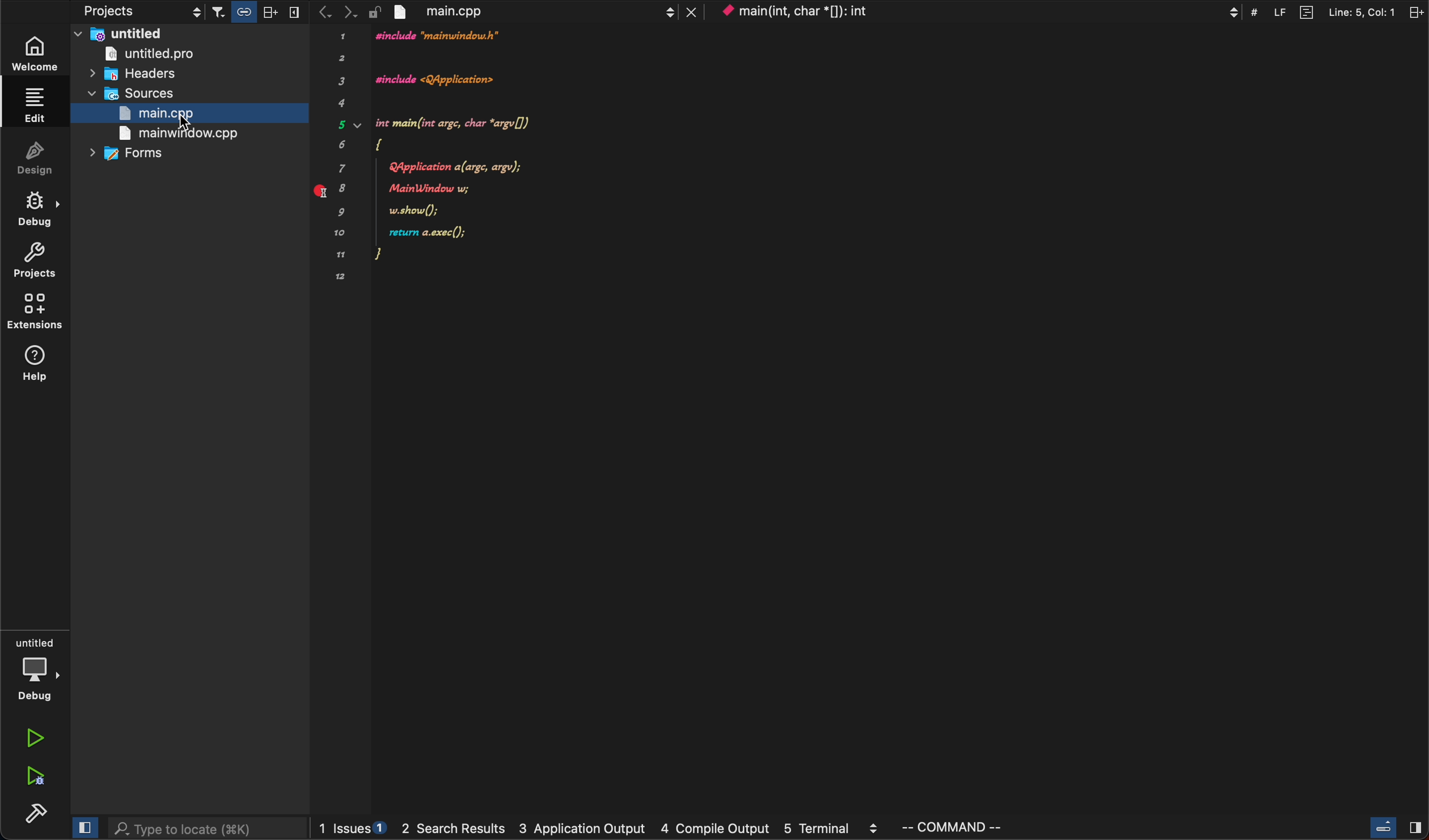 The image size is (1429, 840). What do you see at coordinates (132, 155) in the screenshot?
I see `forms` at bounding box center [132, 155].